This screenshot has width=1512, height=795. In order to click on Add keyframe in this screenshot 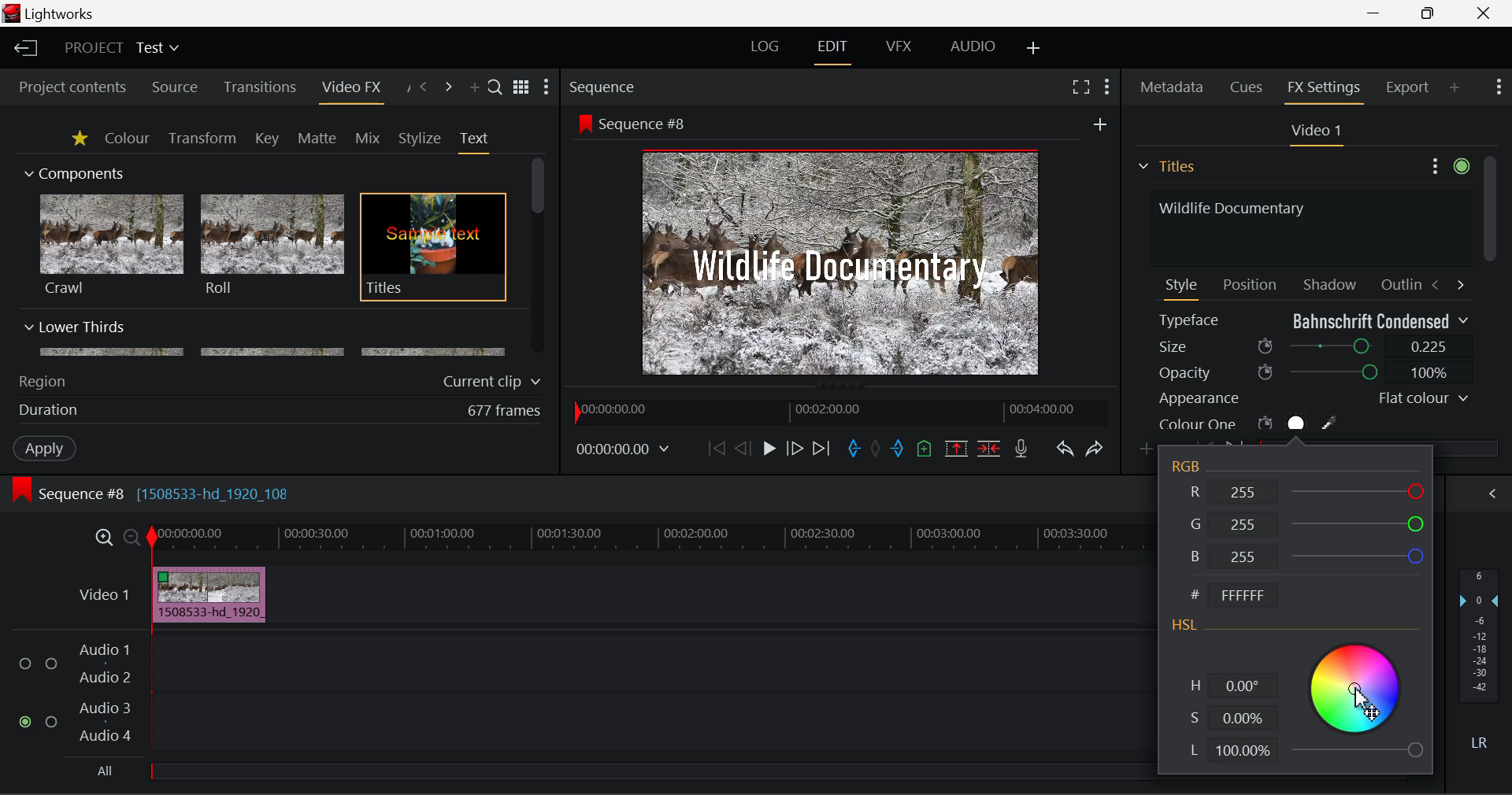, I will do `click(1148, 450)`.